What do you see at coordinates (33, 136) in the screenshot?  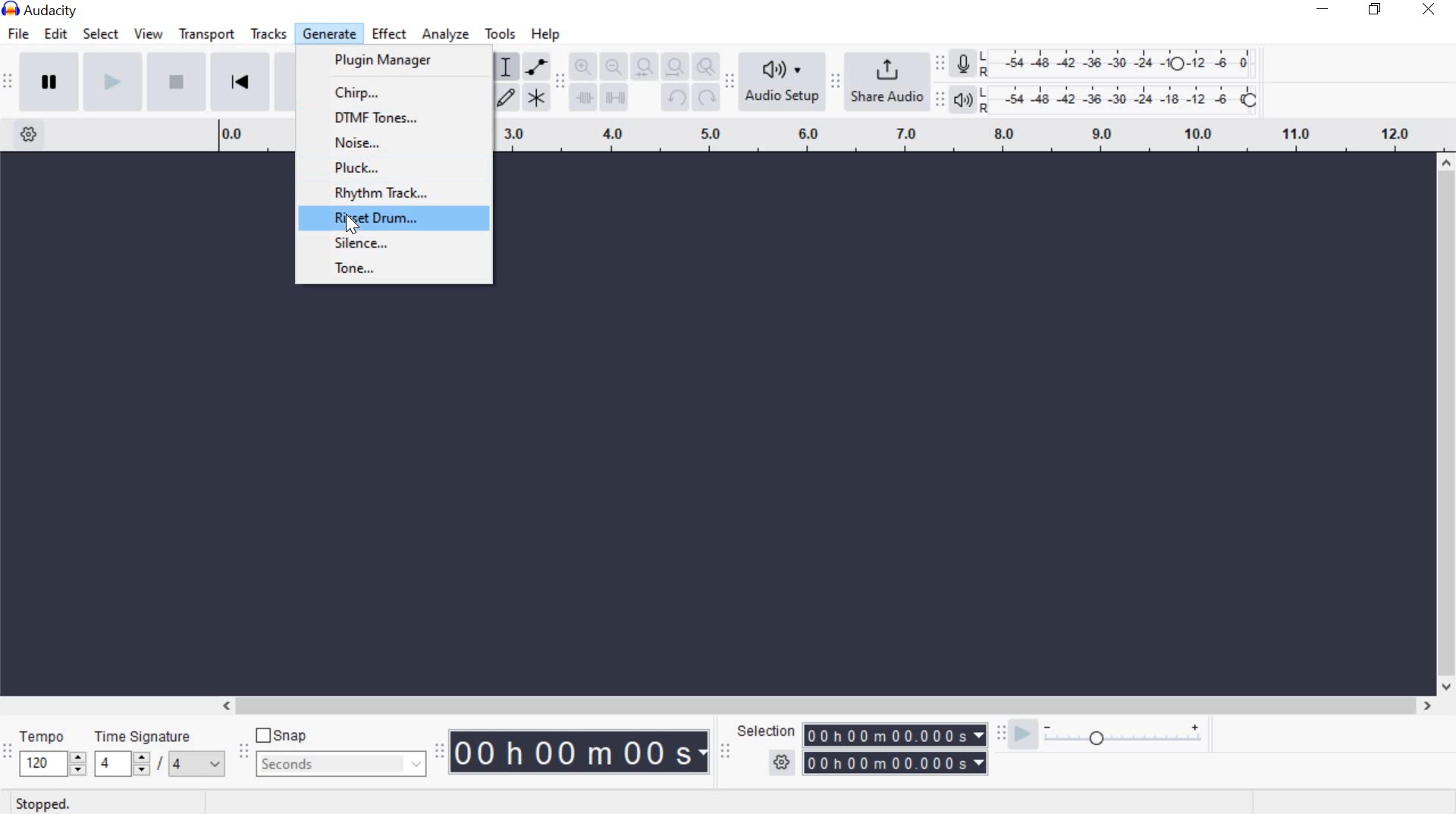 I see `Timeline Options` at bounding box center [33, 136].